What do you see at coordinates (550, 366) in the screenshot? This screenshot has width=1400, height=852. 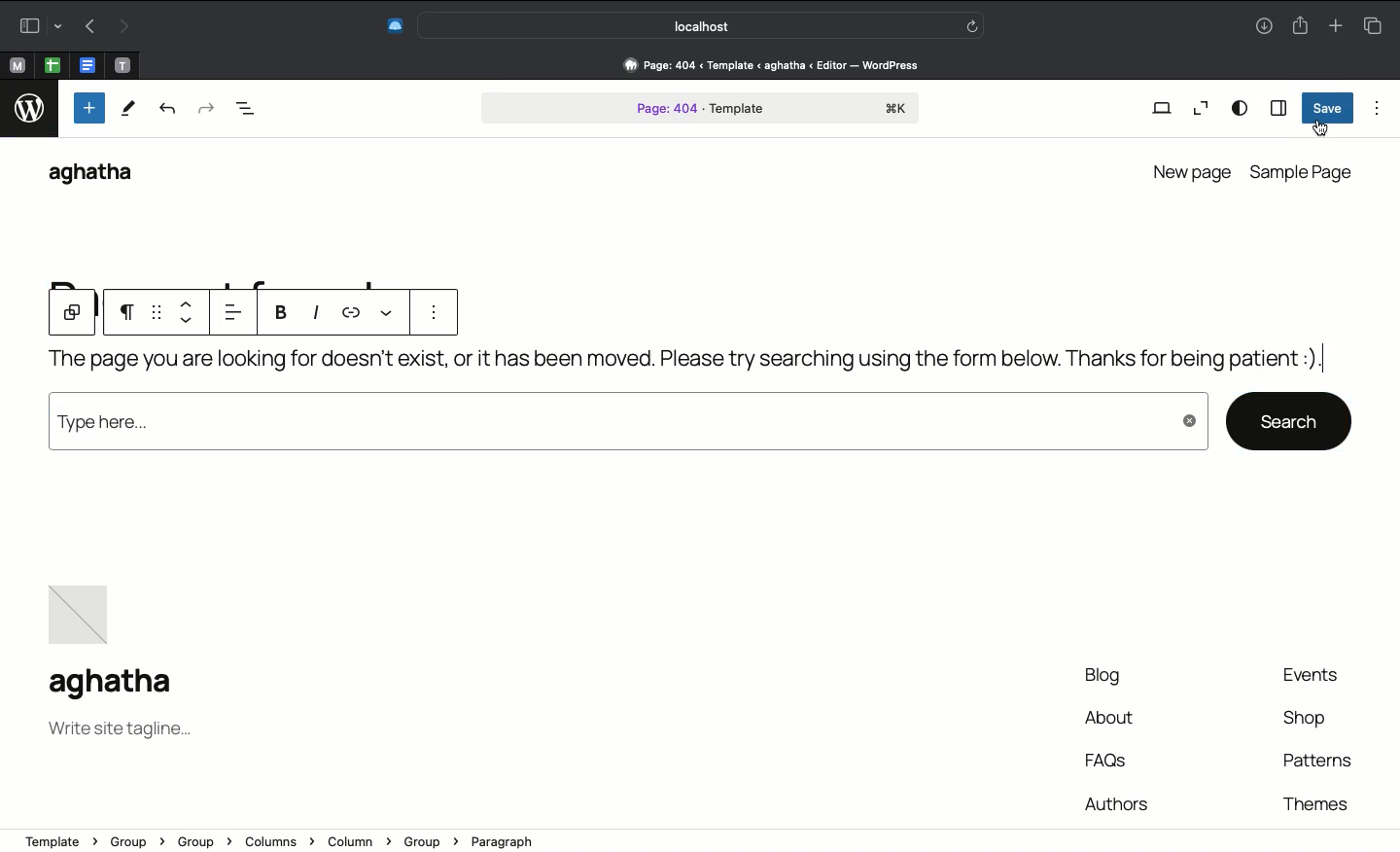 I see `Page not found` at bounding box center [550, 366].